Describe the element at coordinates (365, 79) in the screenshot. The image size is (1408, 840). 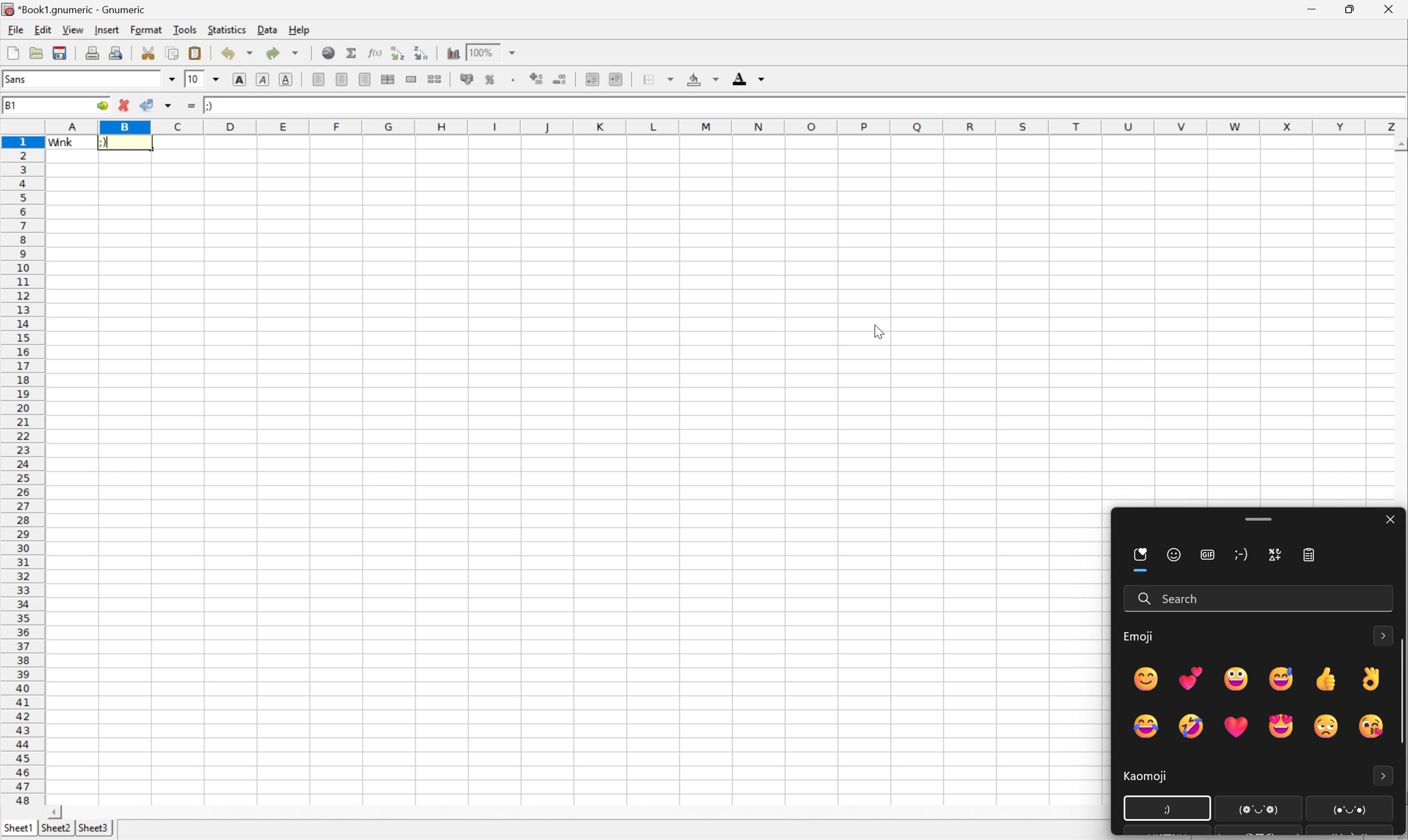
I see `align right` at that location.